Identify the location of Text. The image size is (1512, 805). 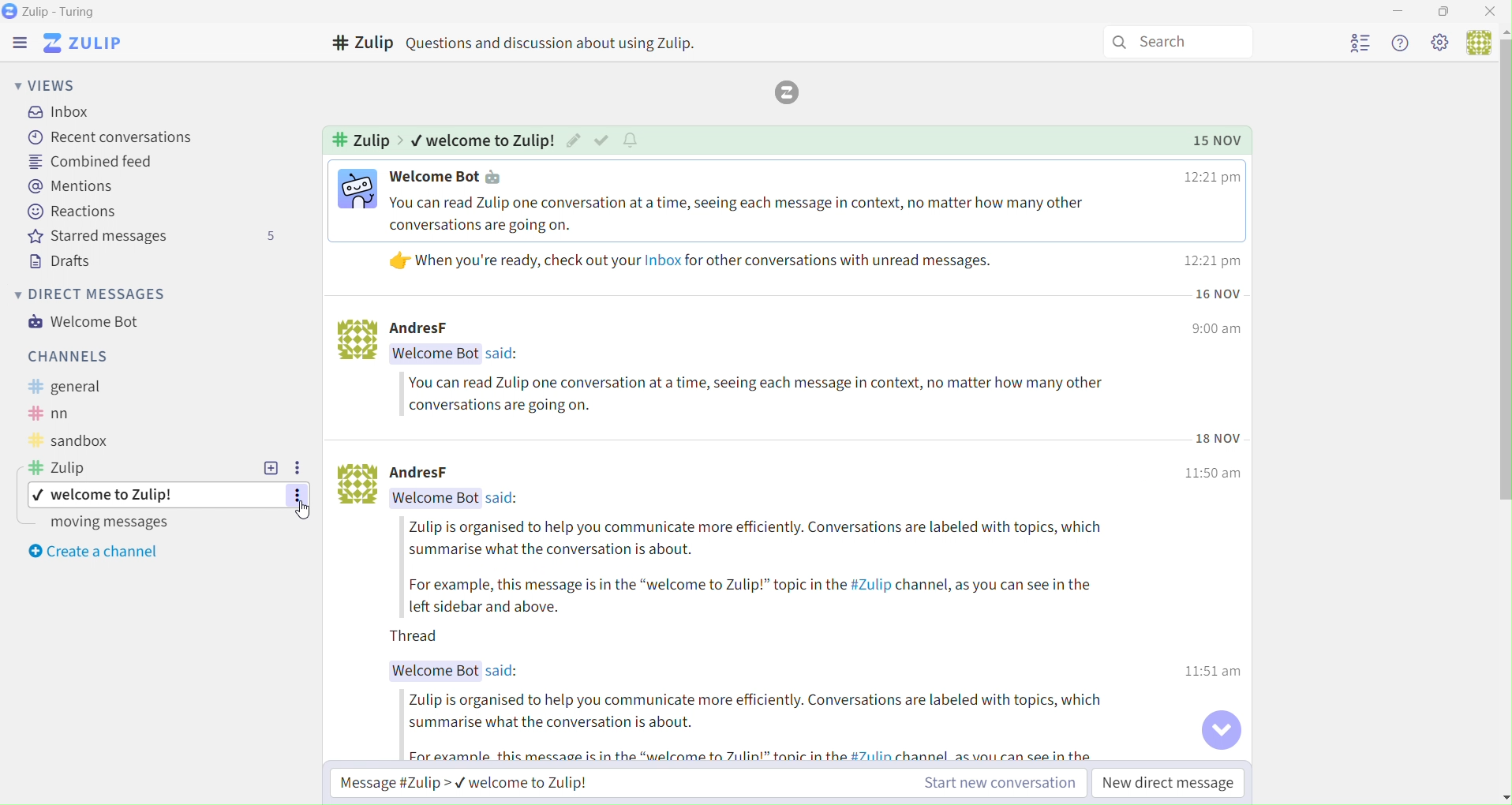
(77, 386).